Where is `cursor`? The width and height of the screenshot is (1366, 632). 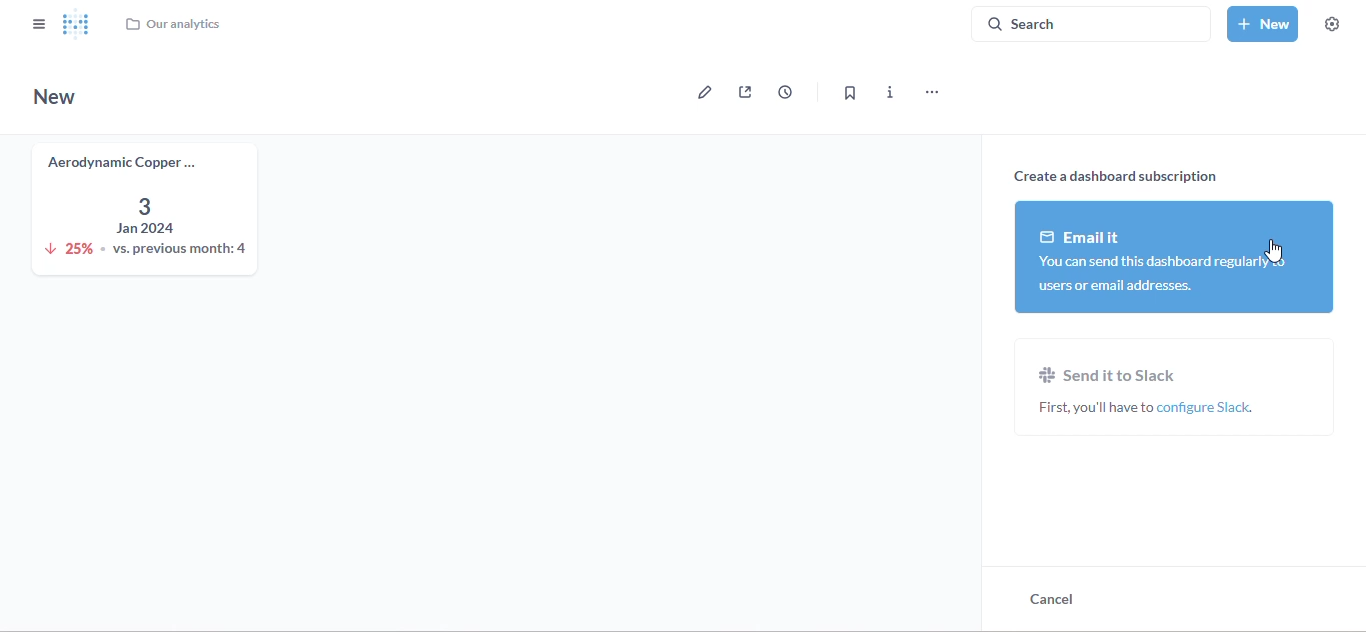 cursor is located at coordinates (1272, 251).